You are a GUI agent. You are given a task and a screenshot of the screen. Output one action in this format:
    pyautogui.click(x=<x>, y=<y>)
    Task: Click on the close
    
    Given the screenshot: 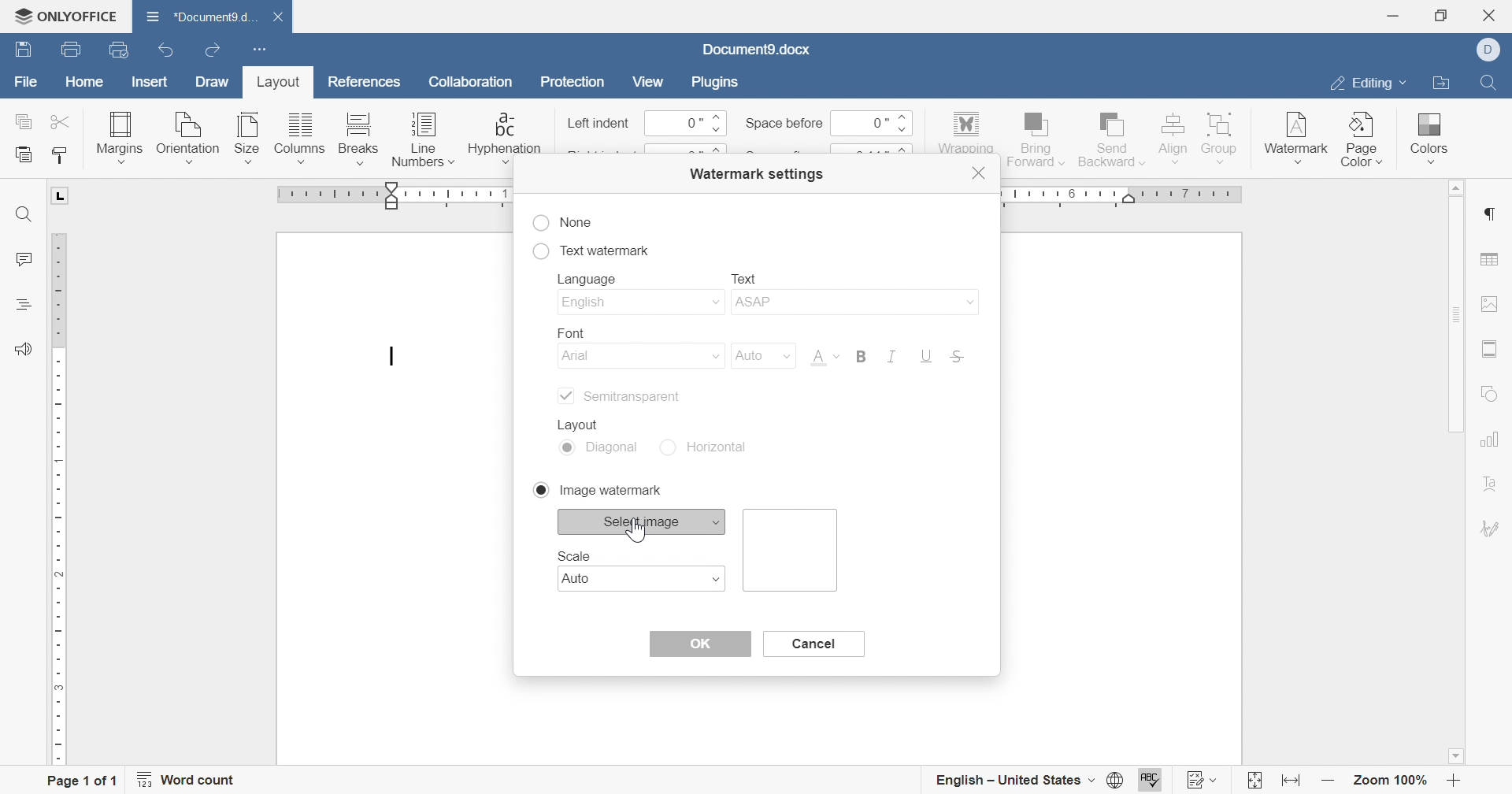 What is the action you would take?
    pyautogui.click(x=1494, y=15)
    